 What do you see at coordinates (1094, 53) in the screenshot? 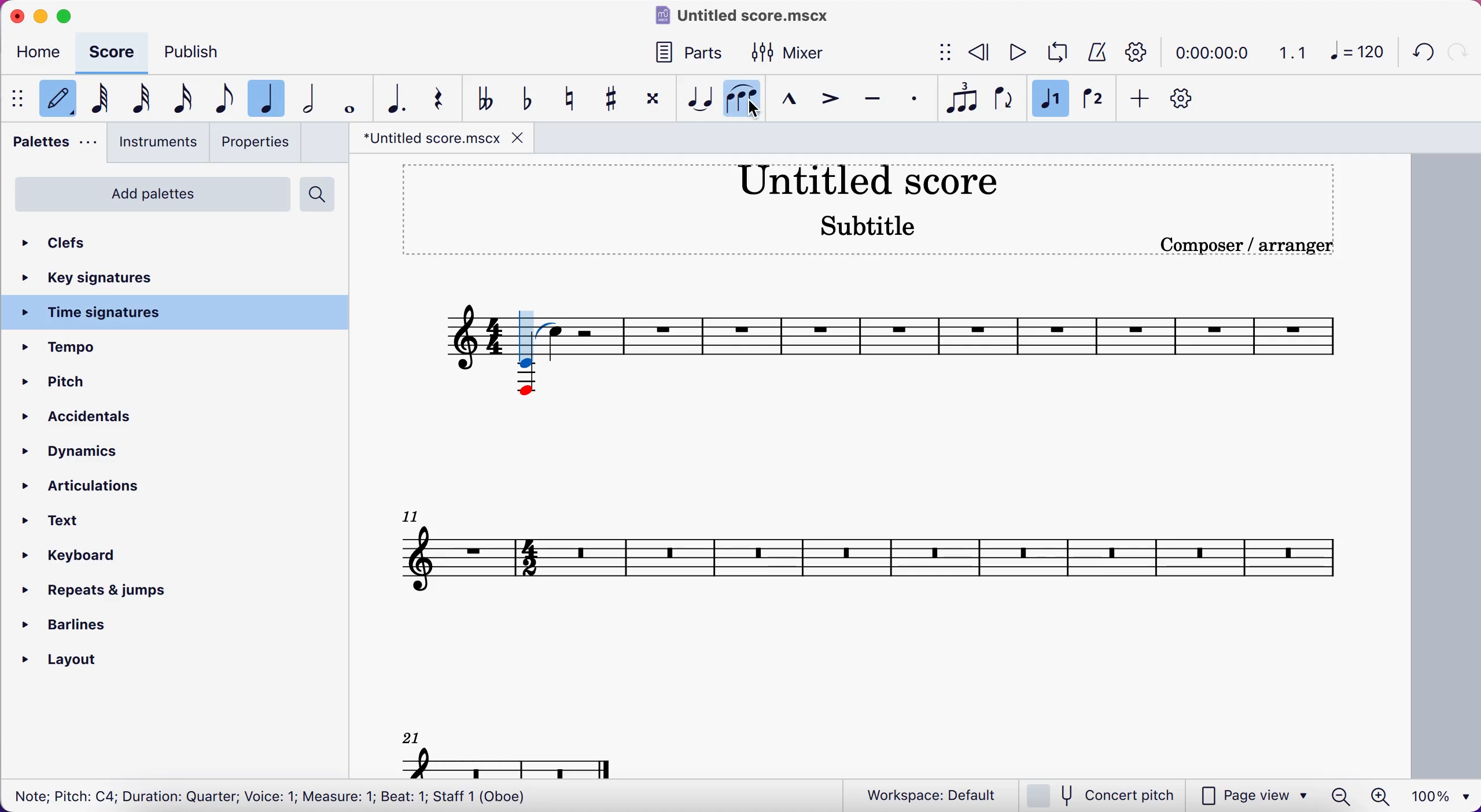
I see `metronome` at bounding box center [1094, 53].